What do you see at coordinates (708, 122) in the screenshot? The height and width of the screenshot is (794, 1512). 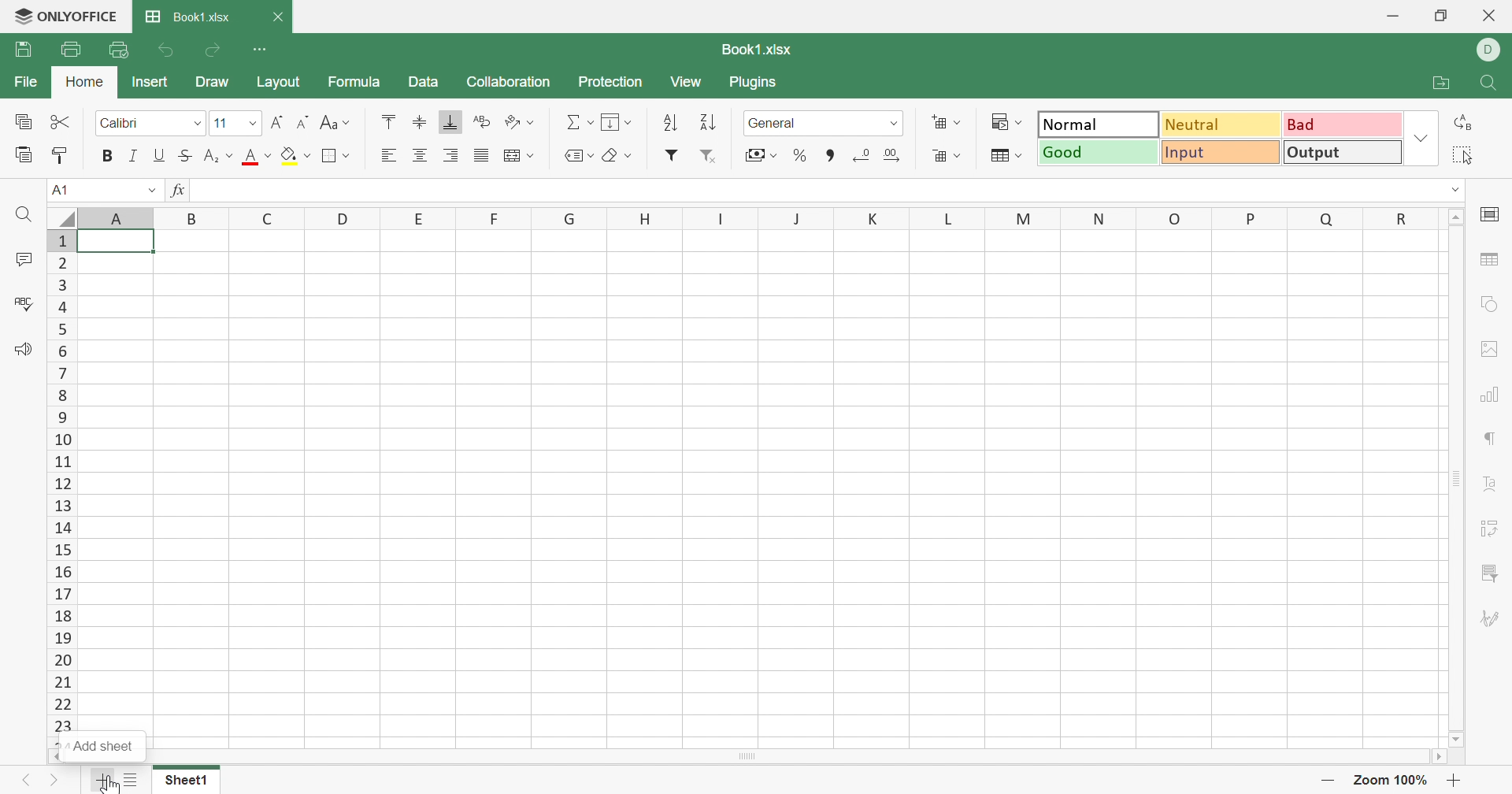 I see `Sort descending` at bounding box center [708, 122].